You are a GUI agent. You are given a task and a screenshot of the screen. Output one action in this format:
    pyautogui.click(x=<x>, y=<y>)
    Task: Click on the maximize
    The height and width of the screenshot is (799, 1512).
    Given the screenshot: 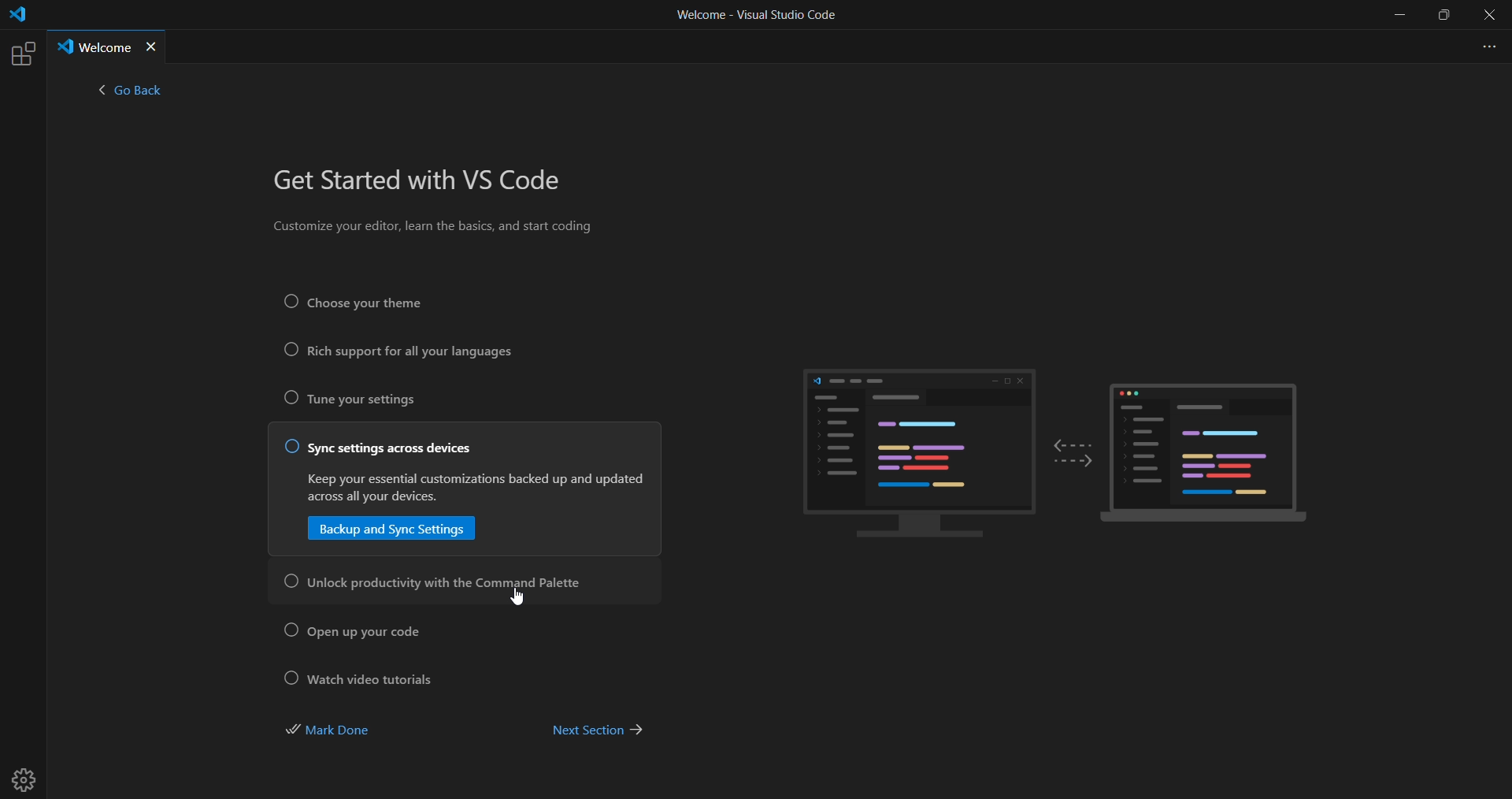 What is the action you would take?
    pyautogui.click(x=1446, y=16)
    